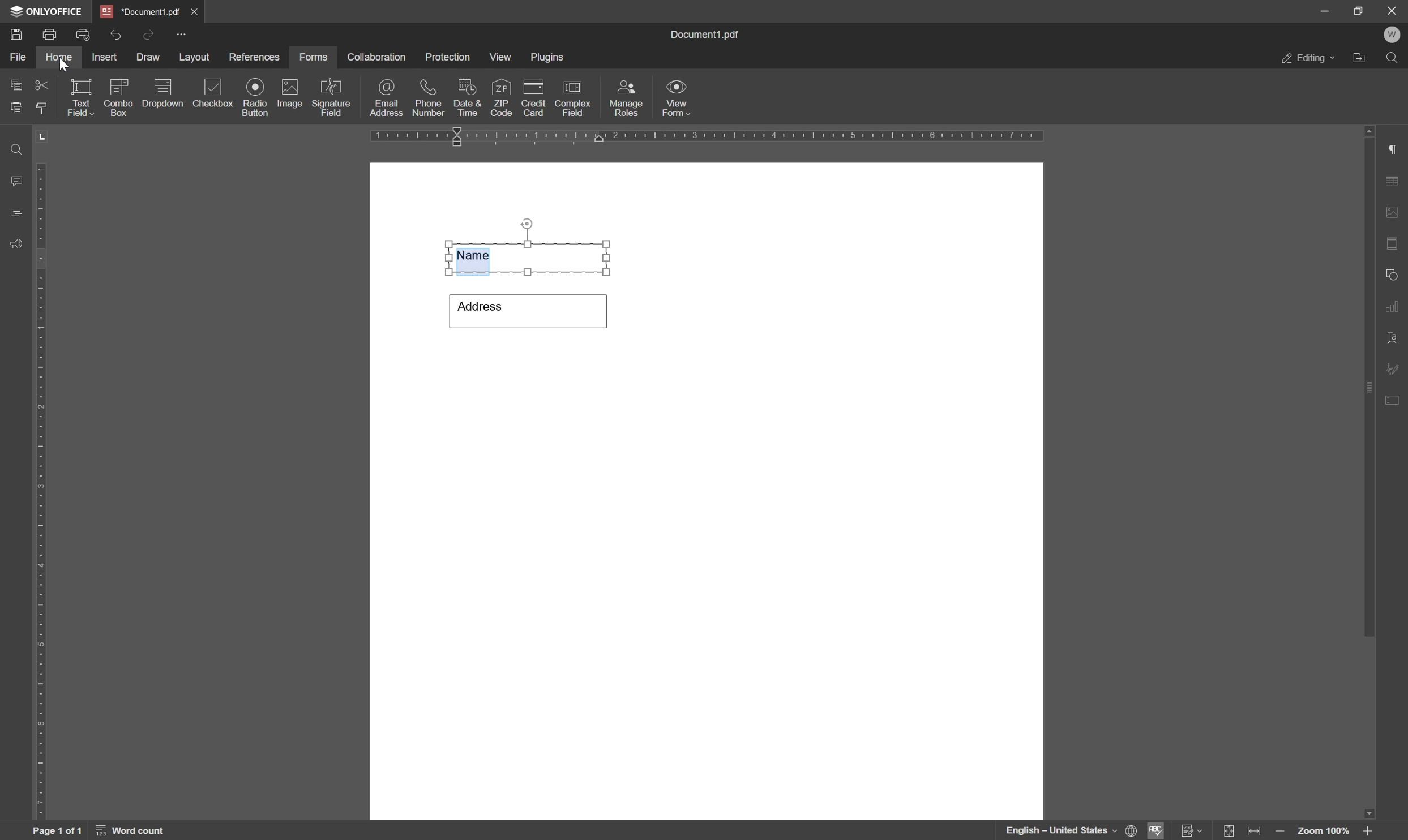 The image size is (1408, 840). What do you see at coordinates (195, 10) in the screenshot?
I see `close` at bounding box center [195, 10].